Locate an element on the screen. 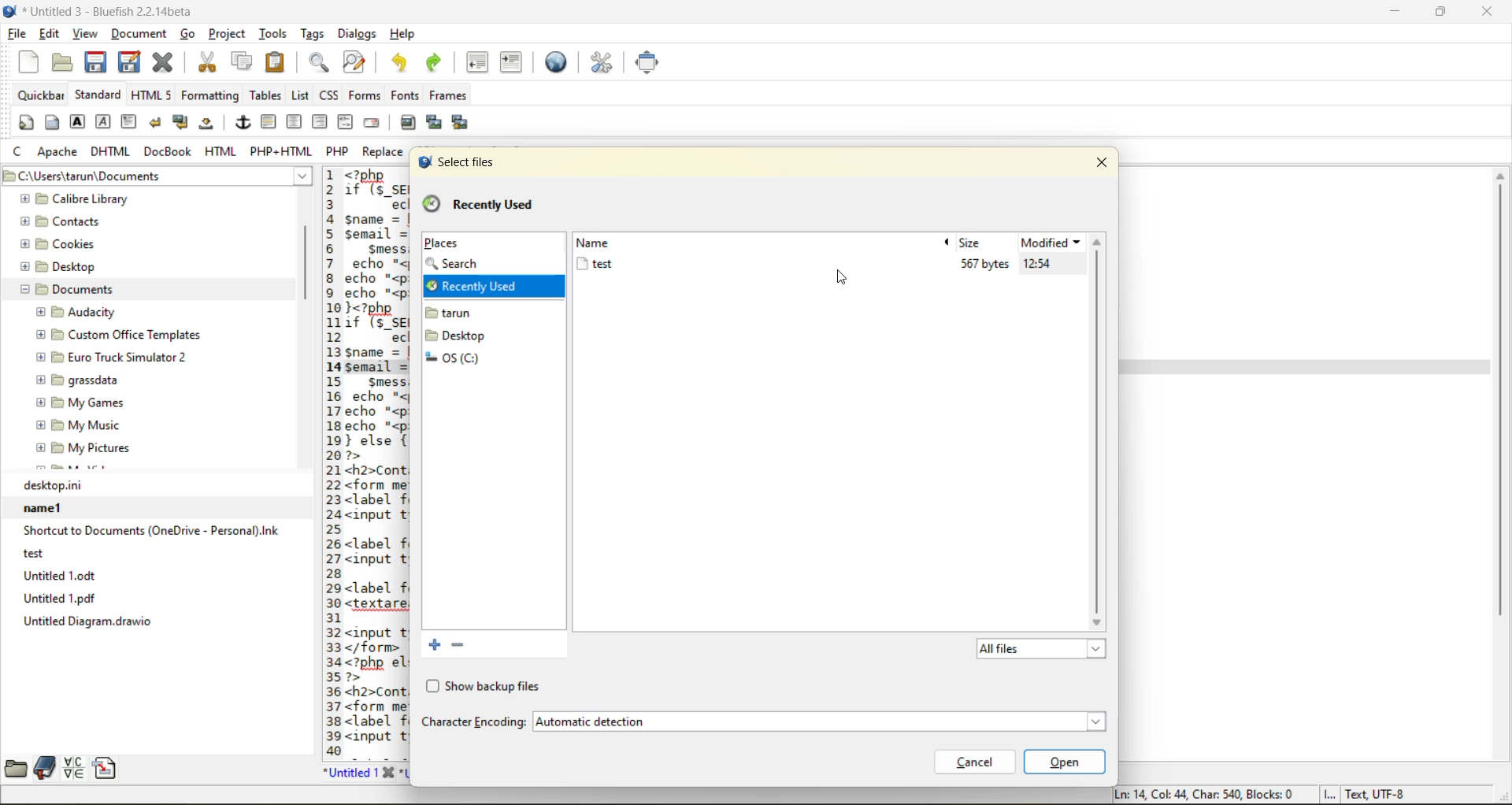 Image resolution: width=1512 pixels, height=805 pixels. vertical scrollbar is located at coordinates (1102, 430).